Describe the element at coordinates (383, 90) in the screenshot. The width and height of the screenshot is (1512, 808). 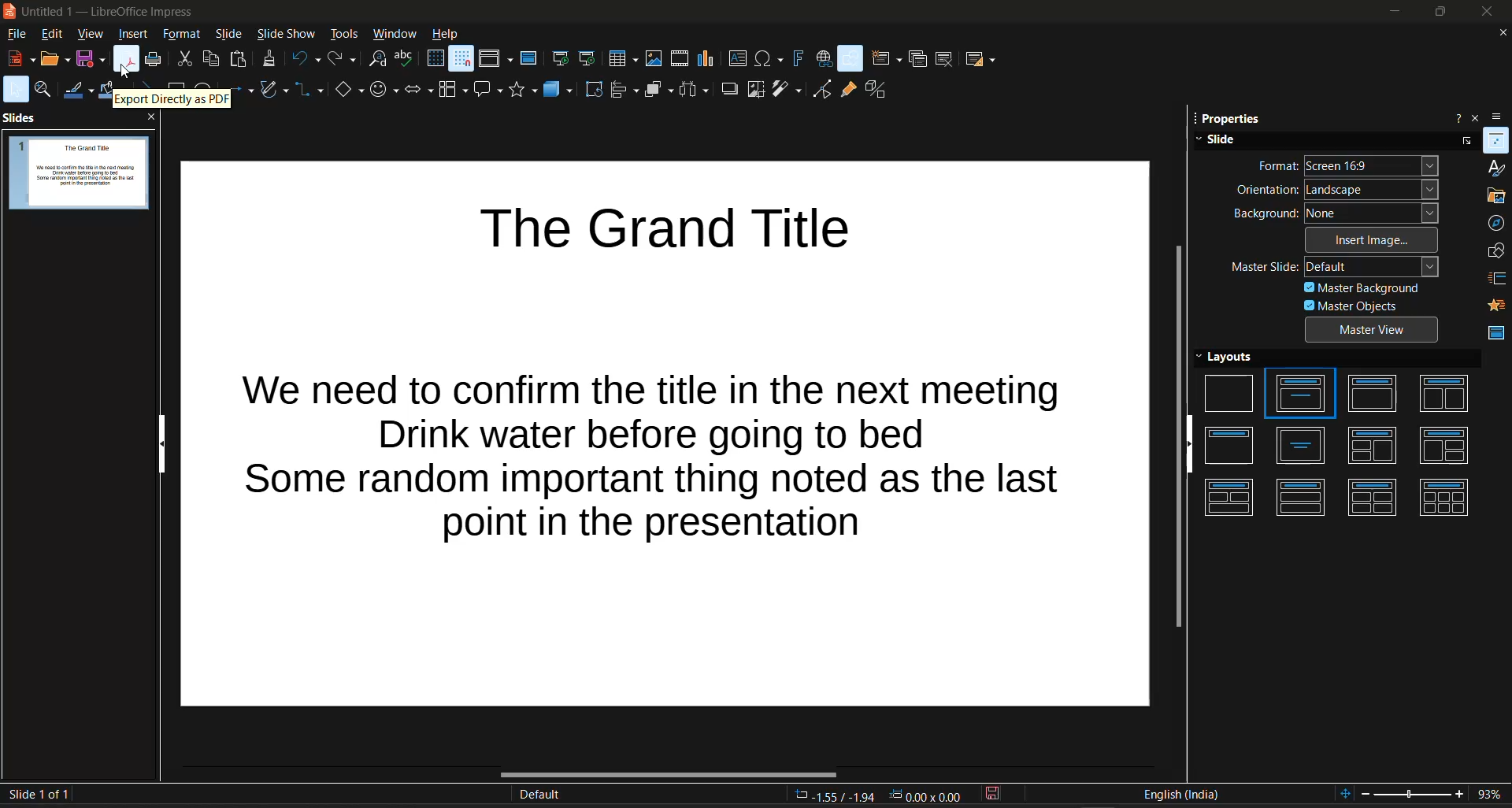
I see `symbol shapes` at that location.